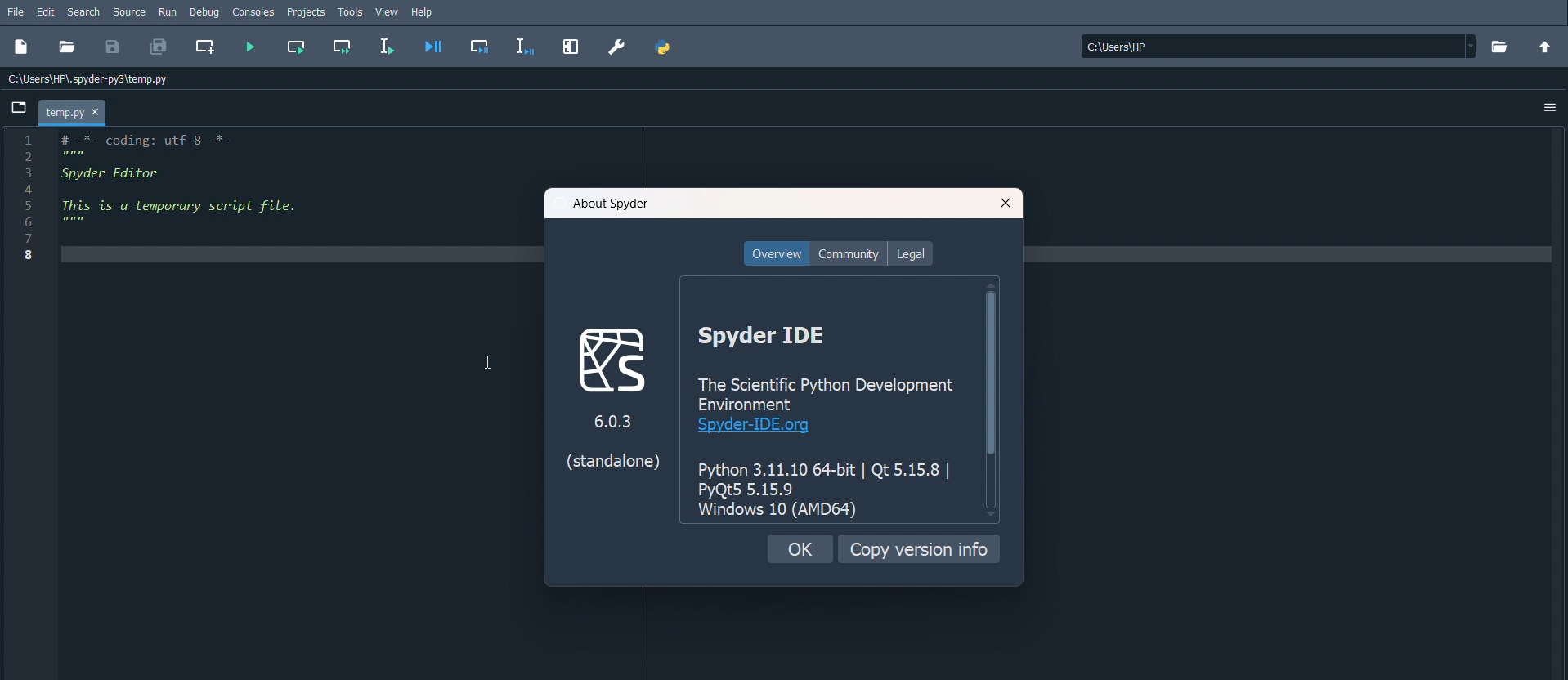 This screenshot has width=1568, height=680. Describe the element at coordinates (253, 11) in the screenshot. I see `Consoles` at that location.